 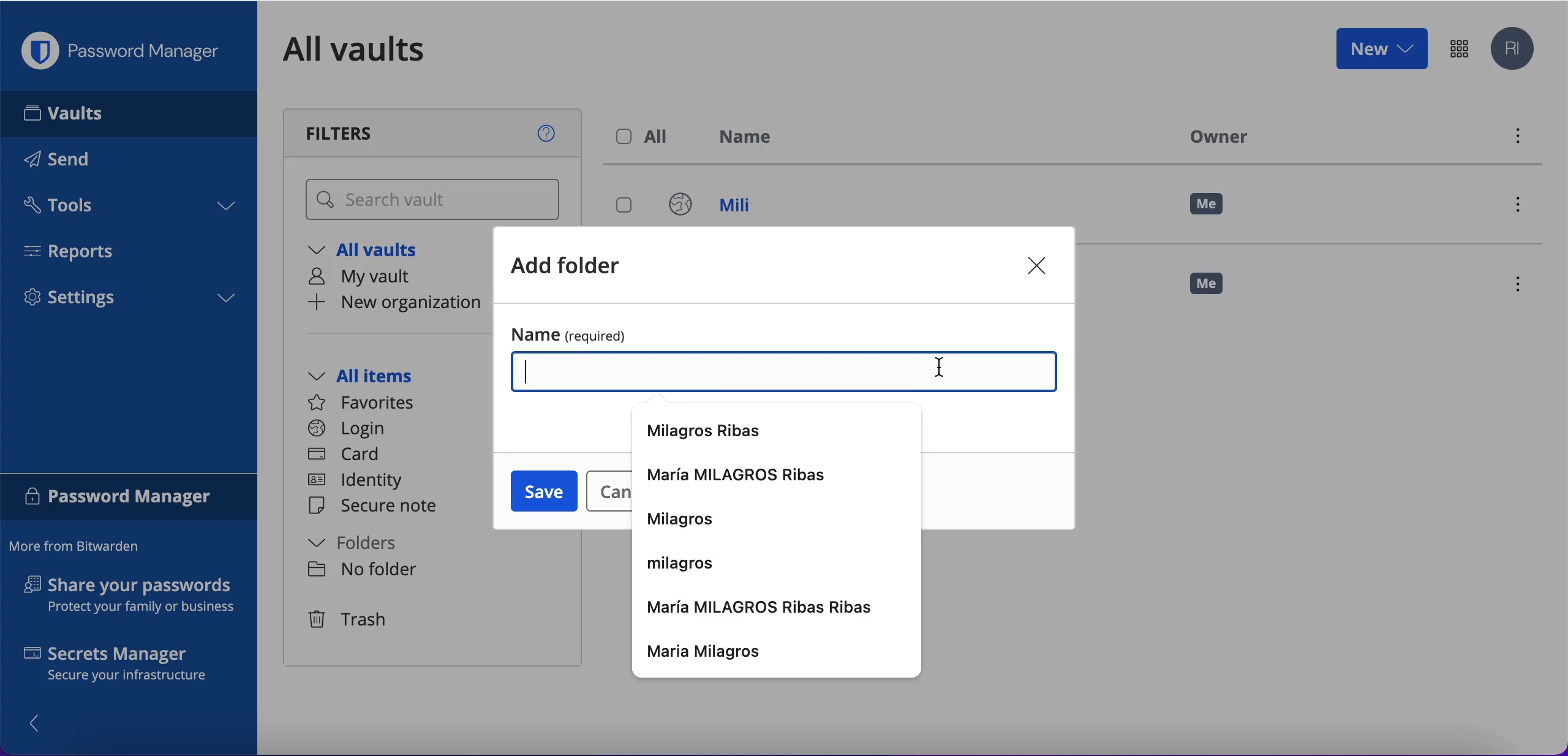 What do you see at coordinates (361, 571) in the screenshot?
I see `no folder` at bounding box center [361, 571].